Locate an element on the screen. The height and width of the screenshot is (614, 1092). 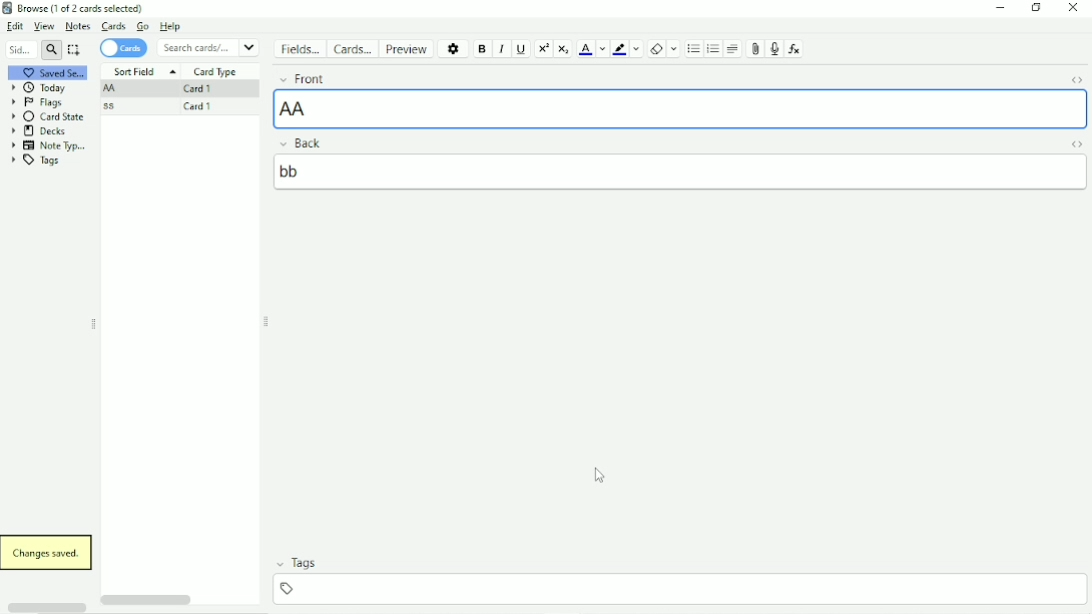
Record audio is located at coordinates (774, 50).